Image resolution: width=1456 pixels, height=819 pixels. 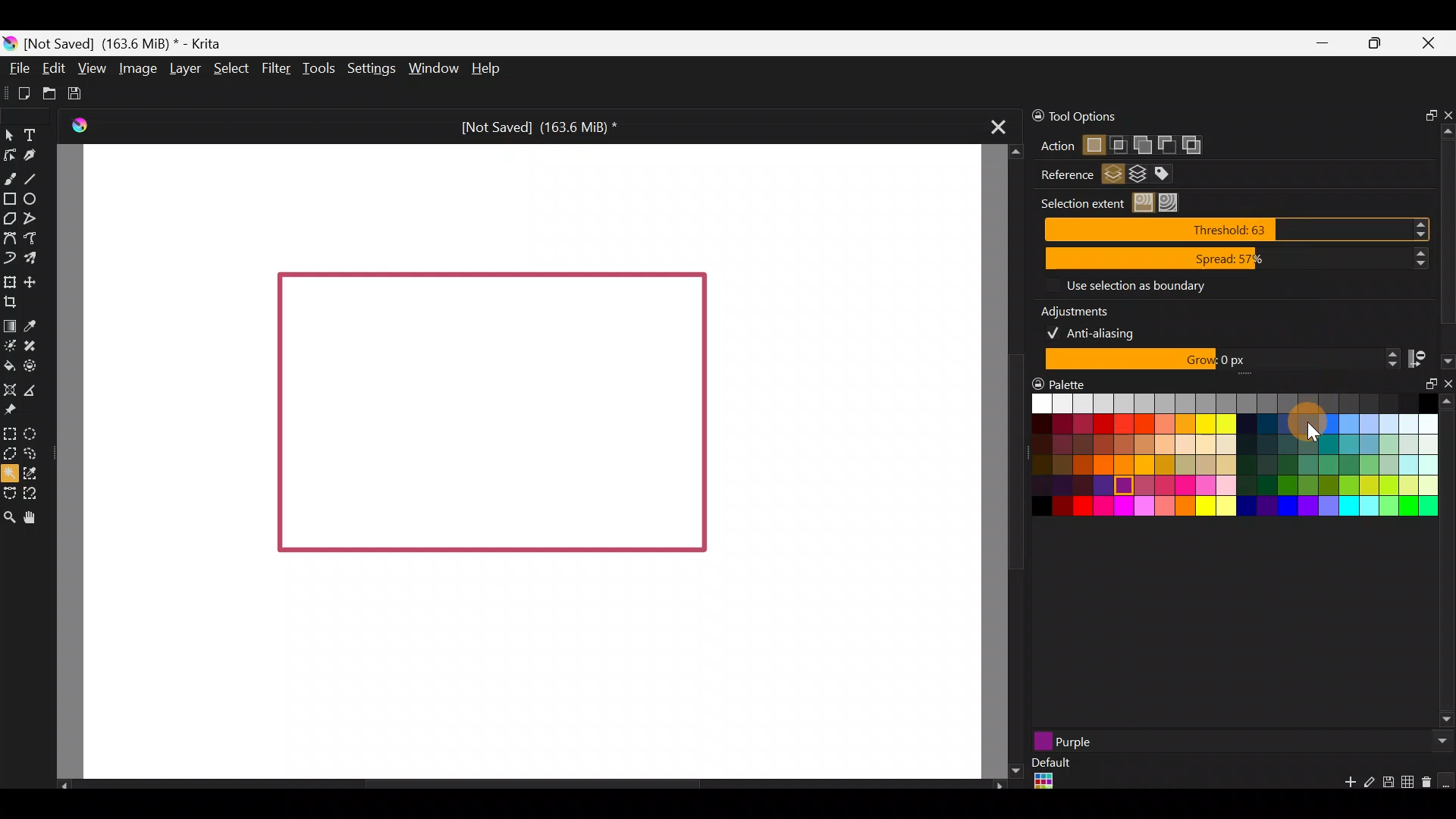 I want to click on Text tool, so click(x=31, y=133).